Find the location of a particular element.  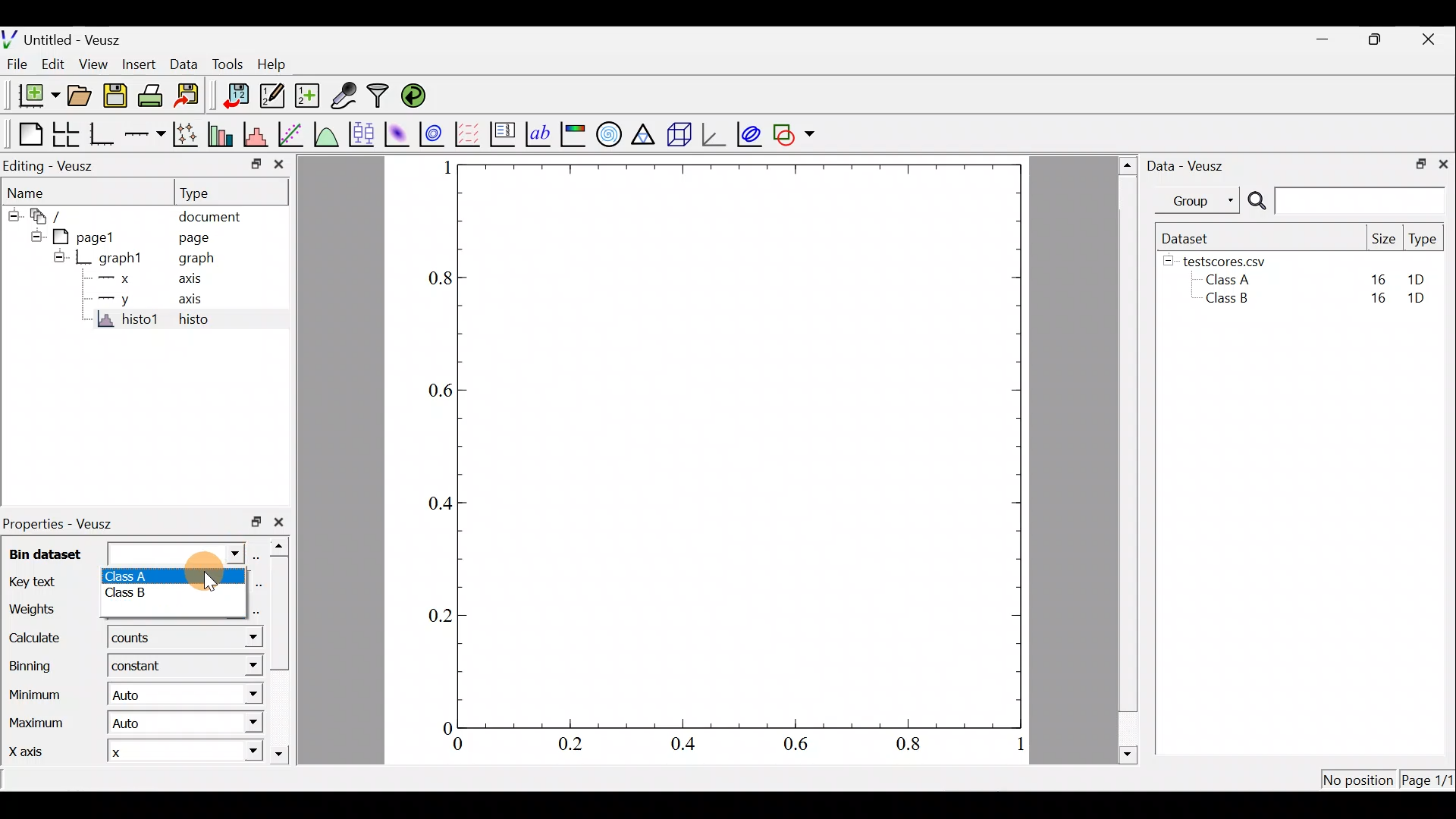

3d graph is located at coordinates (715, 135).